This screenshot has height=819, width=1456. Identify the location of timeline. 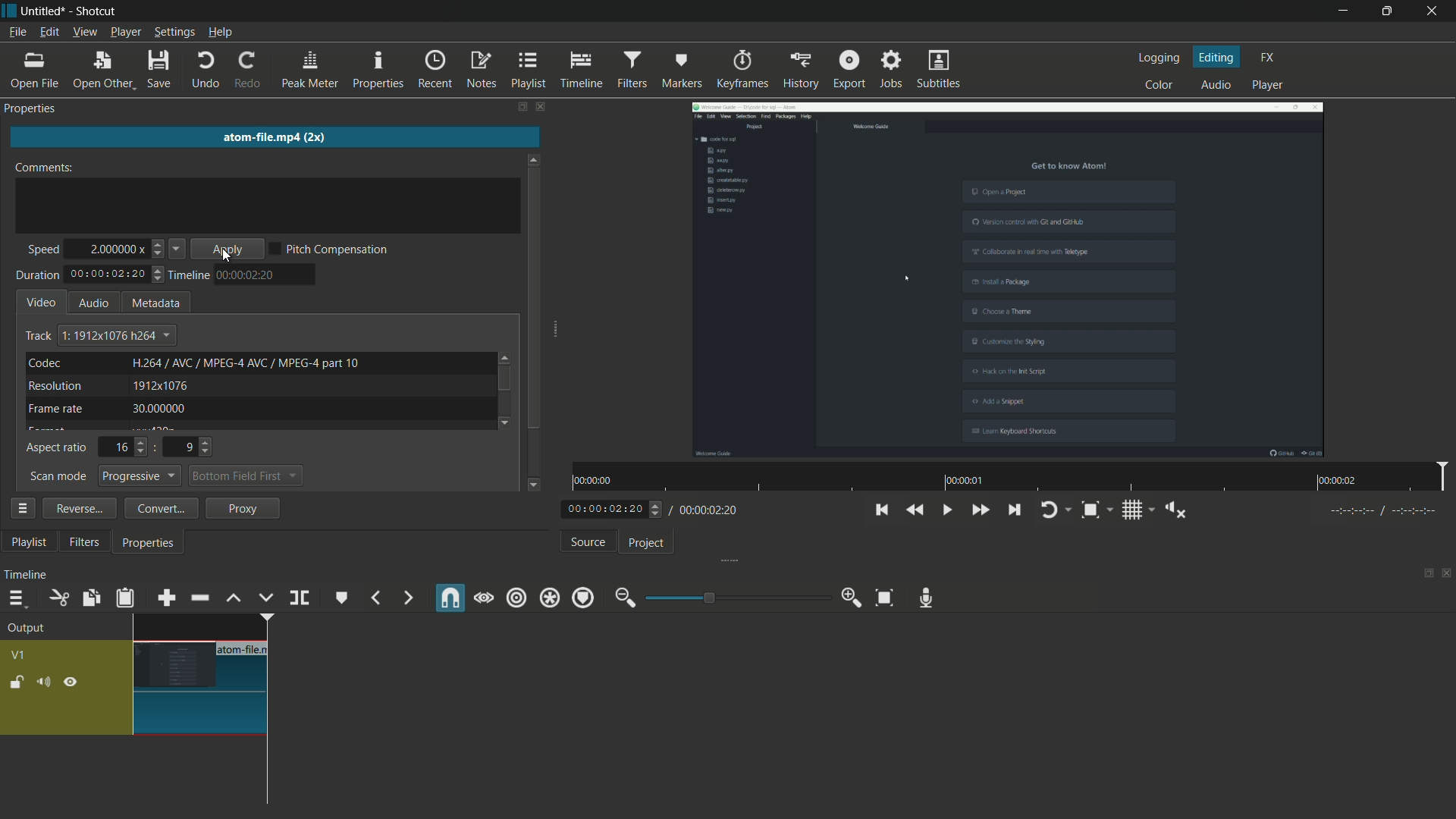
(27, 576).